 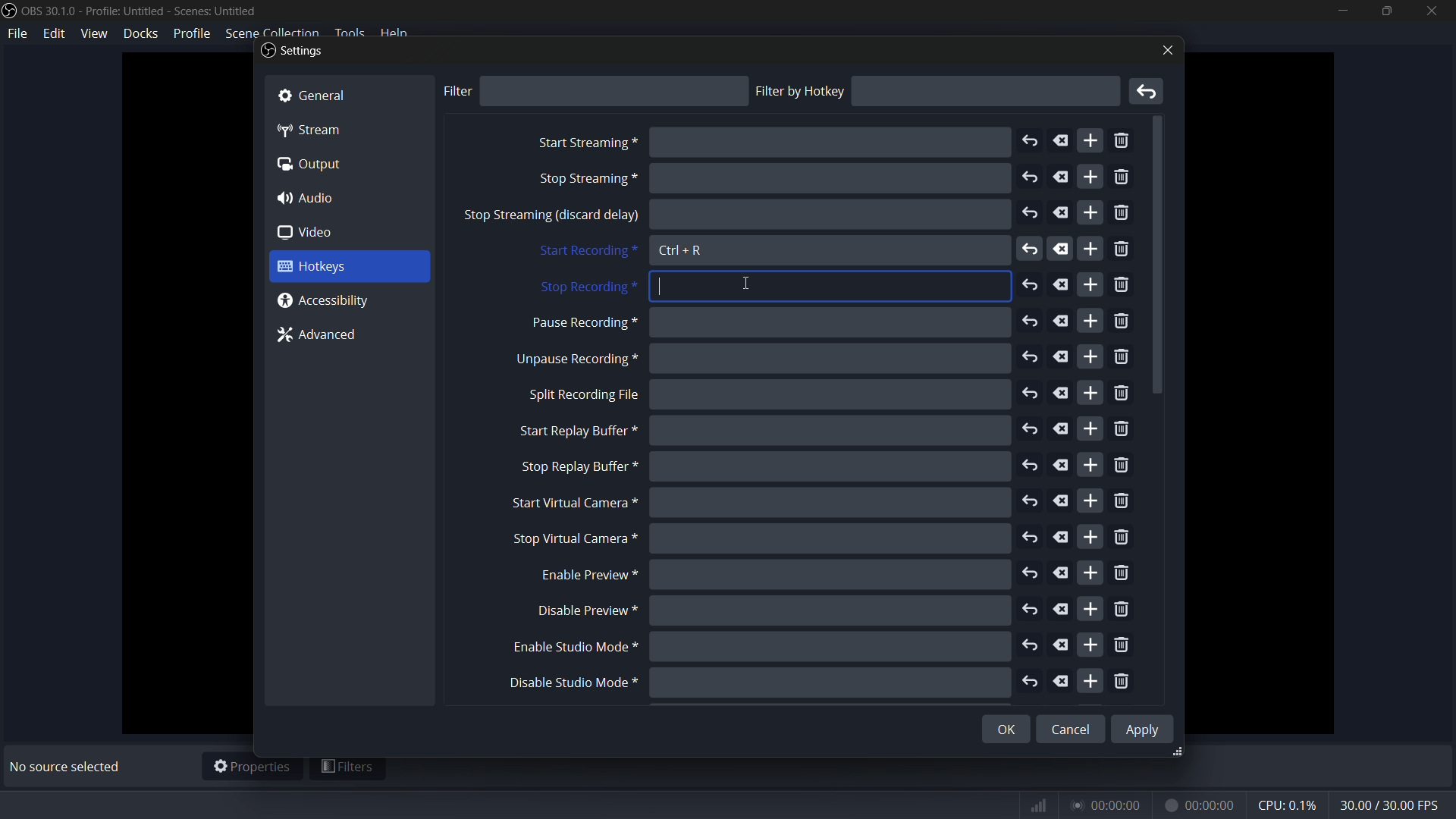 What do you see at coordinates (1062, 466) in the screenshot?
I see `delete` at bounding box center [1062, 466].